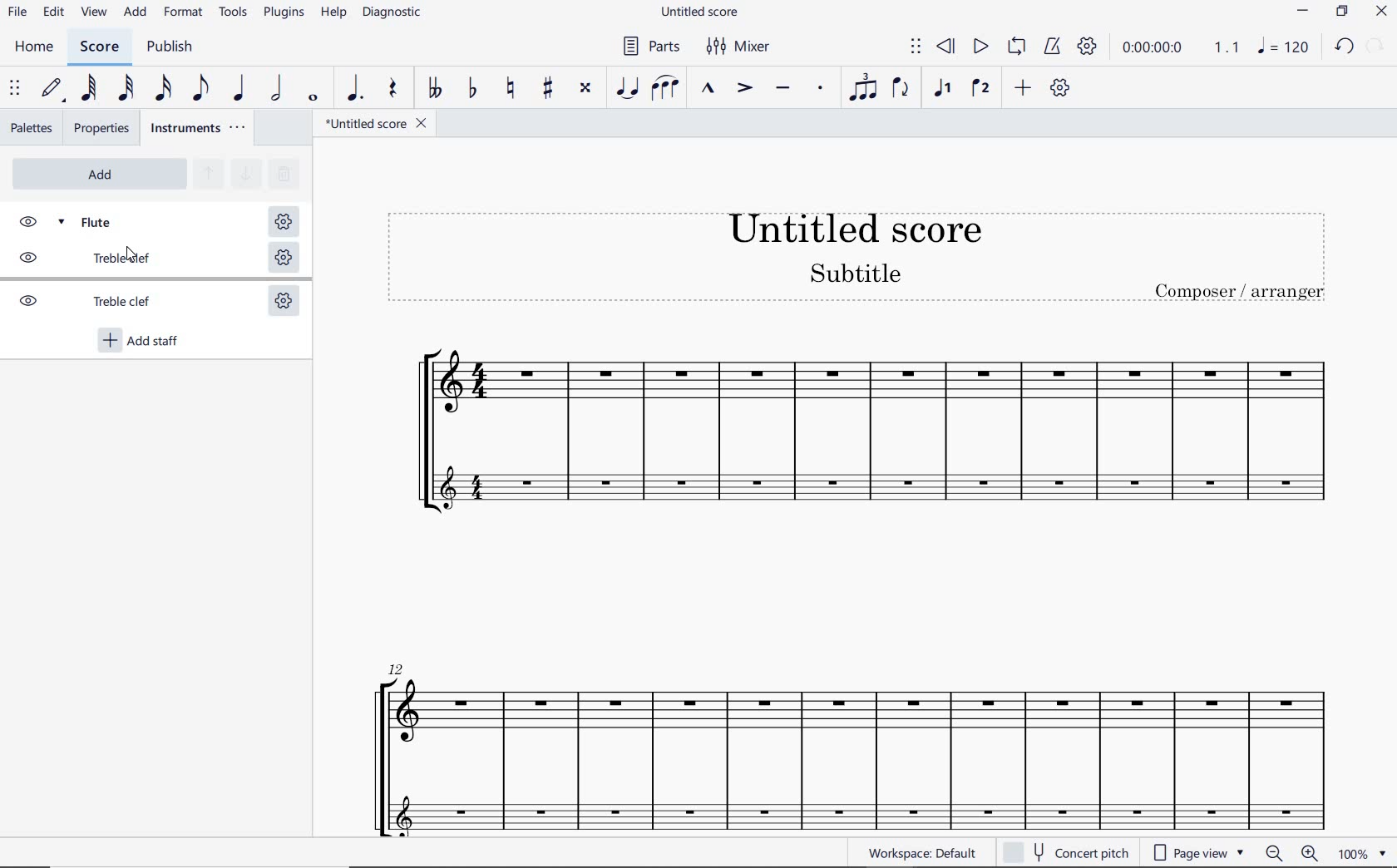 The image size is (1397, 868). Describe the element at coordinates (234, 13) in the screenshot. I see `TOOLS` at that location.